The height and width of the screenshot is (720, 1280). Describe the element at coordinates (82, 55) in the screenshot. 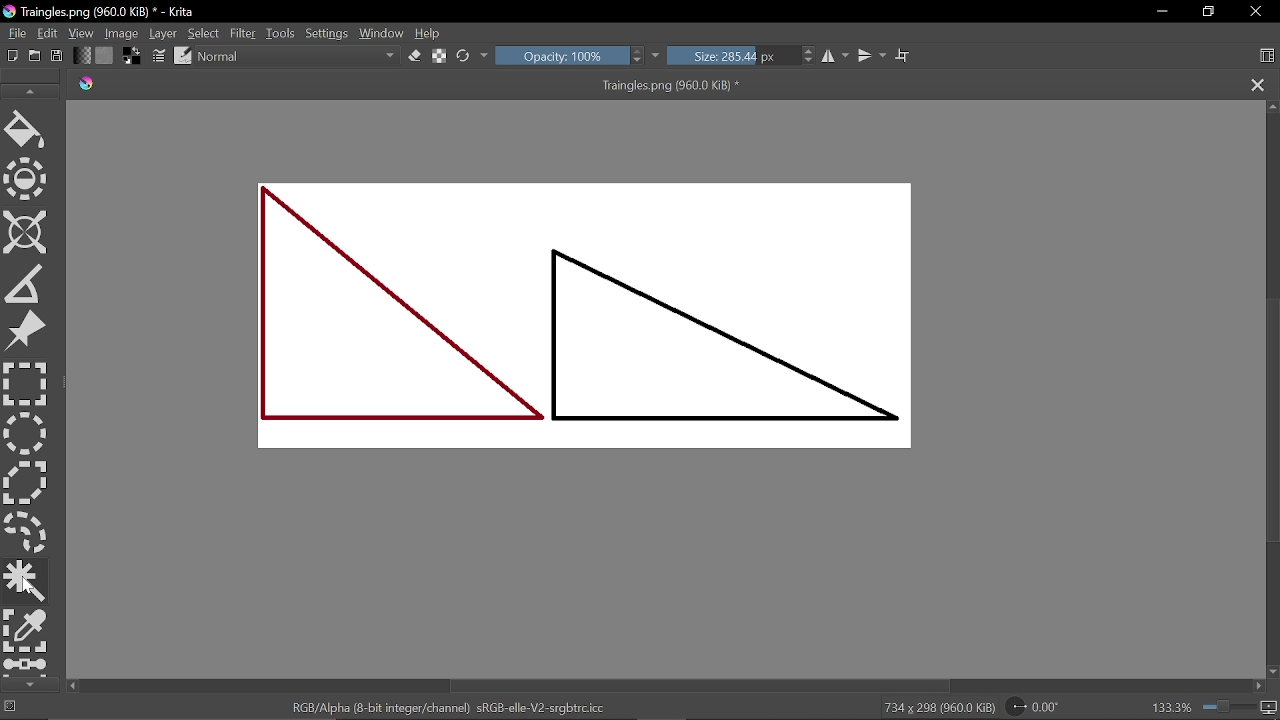

I see `Fill gradient` at that location.